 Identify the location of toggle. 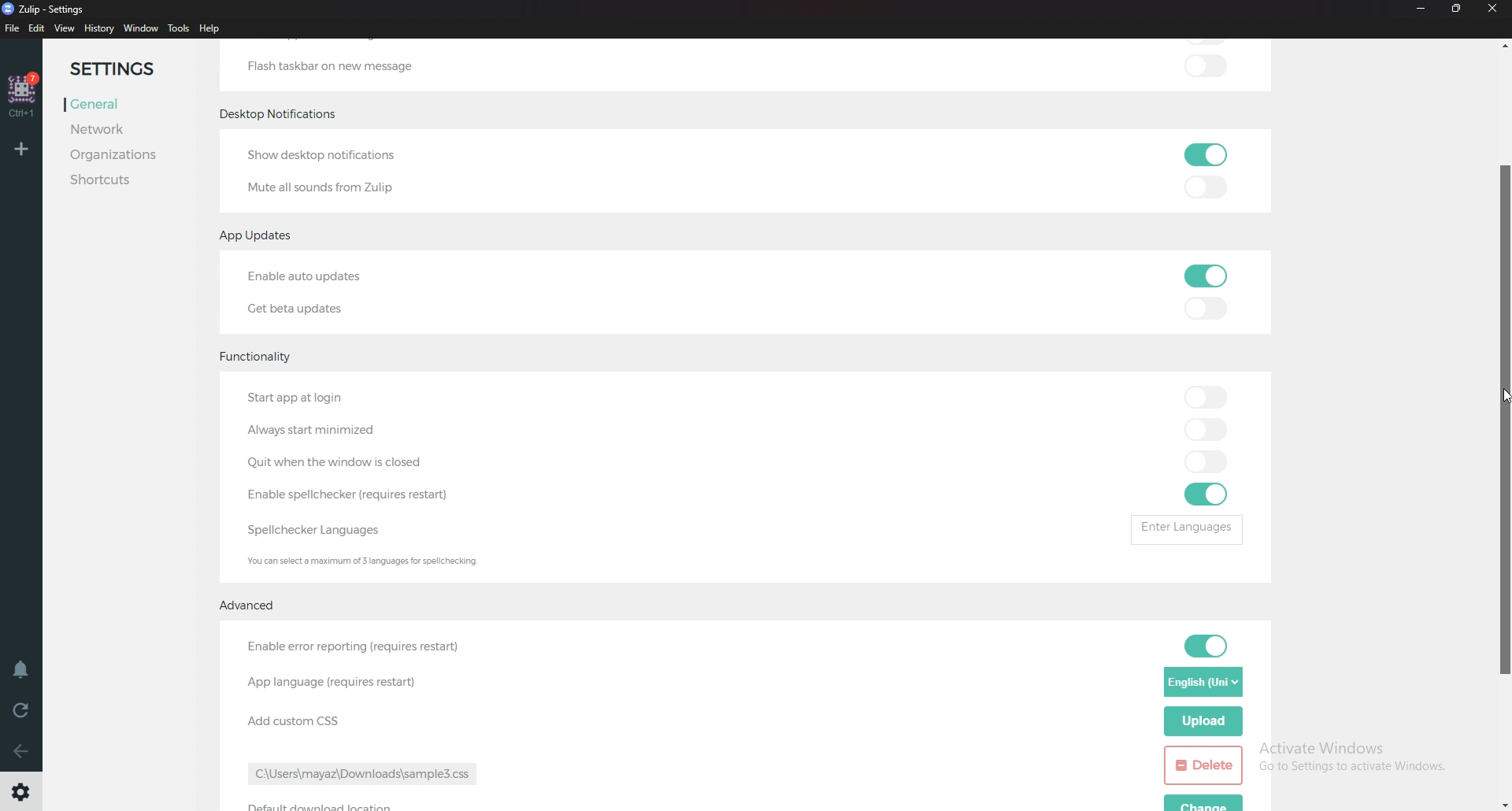
(1203, 398).